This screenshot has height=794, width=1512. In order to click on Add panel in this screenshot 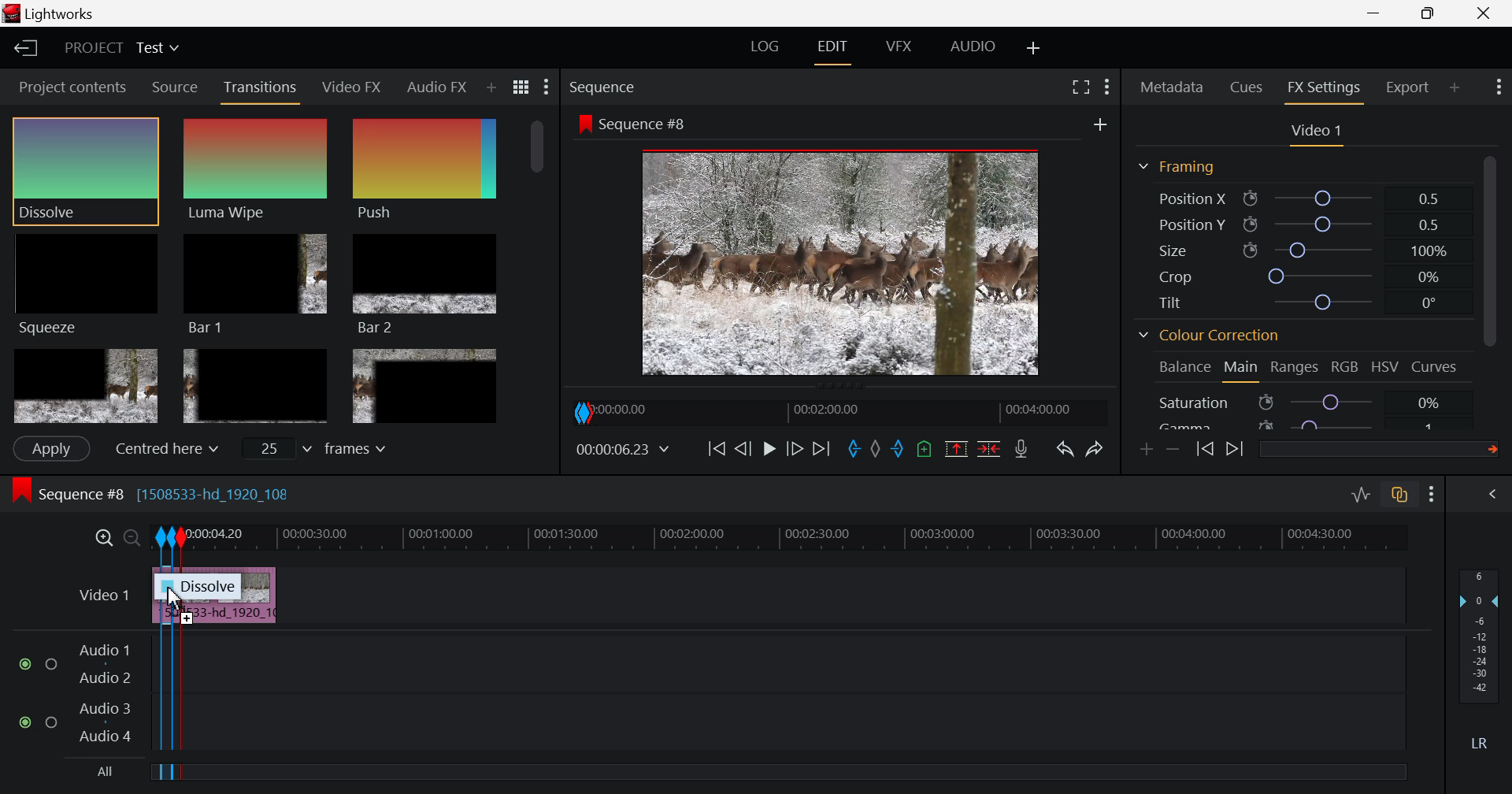, I will do `click(1455, 90)`.